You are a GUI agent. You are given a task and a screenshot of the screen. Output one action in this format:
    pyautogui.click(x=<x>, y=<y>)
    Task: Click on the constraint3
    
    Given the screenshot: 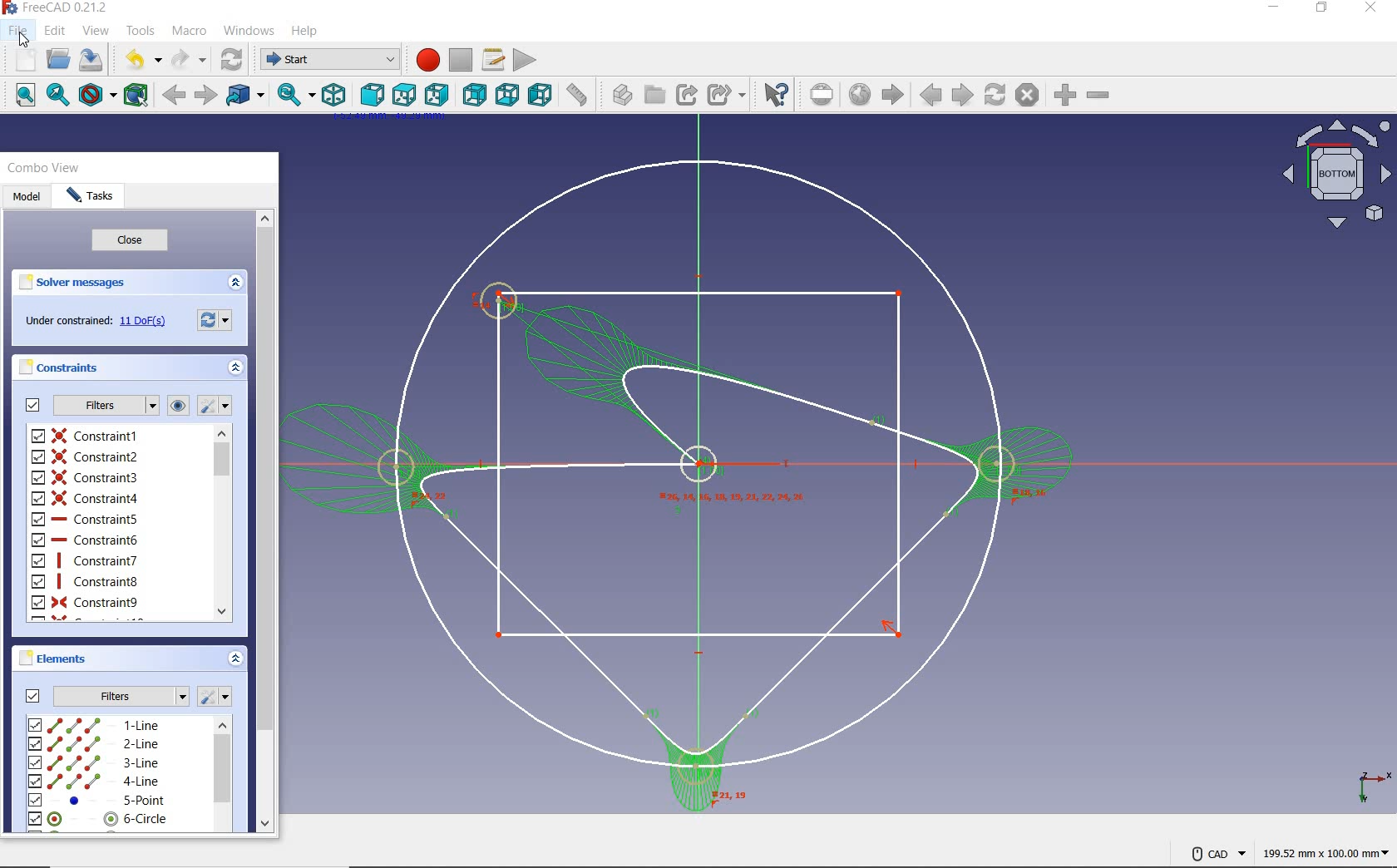 What is the action you would take?
    pyautogui.click(x=86, y=476)
    